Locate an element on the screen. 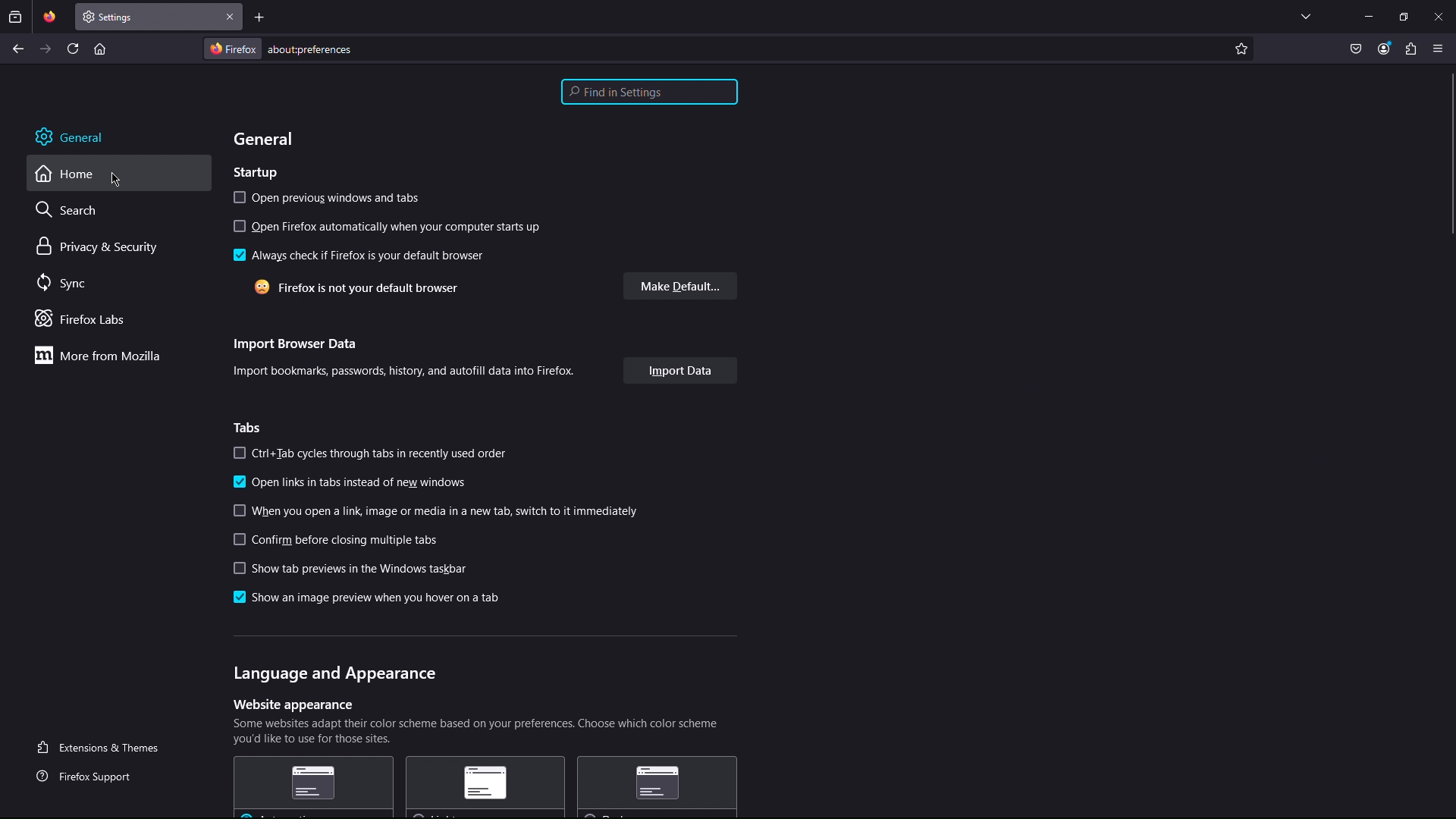 The width and height of the screenshot is (1456, 819). Show an image preview when you hover on a tab is located at coordinates (366, 597).